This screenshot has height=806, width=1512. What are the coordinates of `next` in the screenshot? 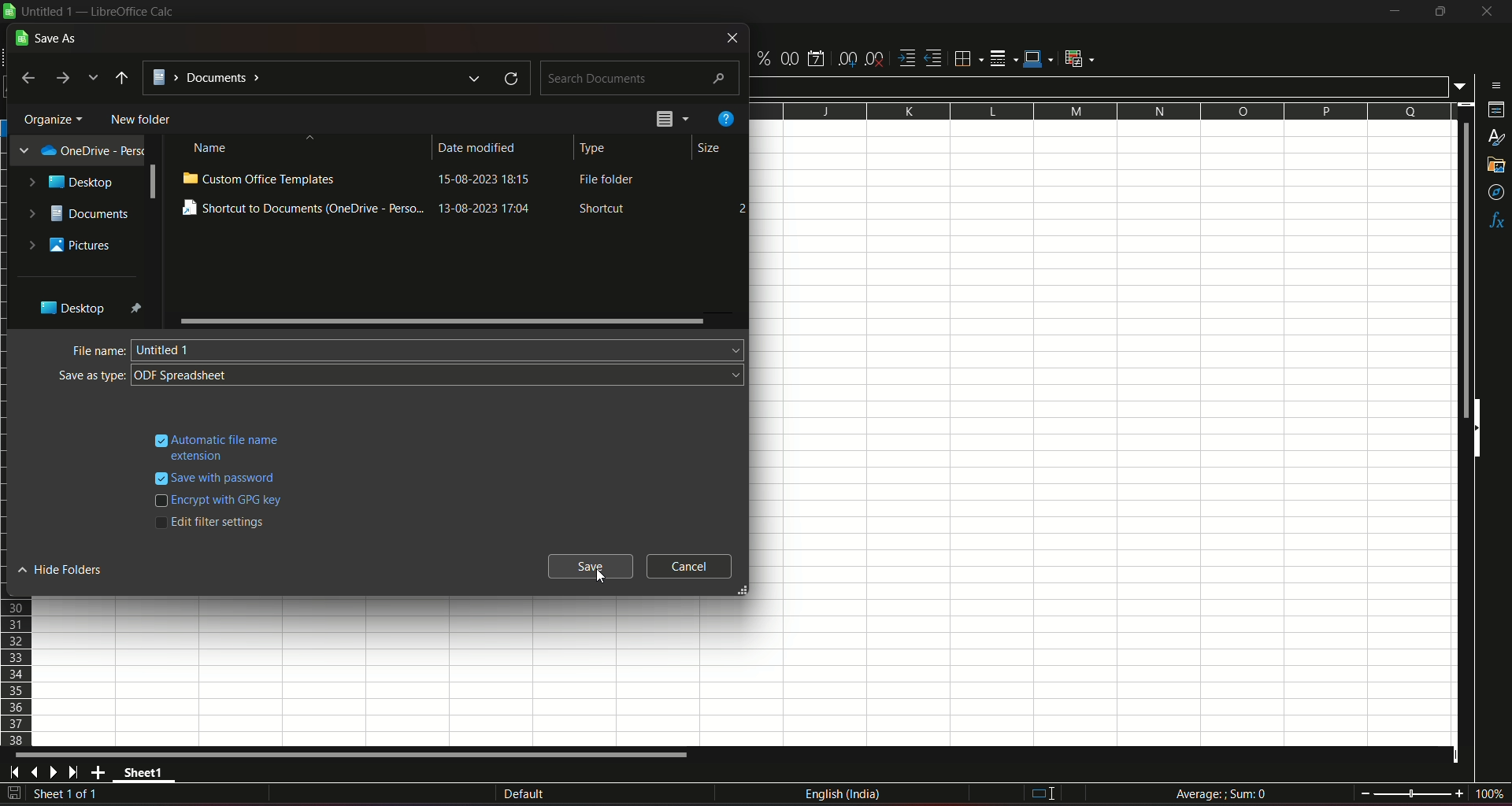 It's located at (65, 79).